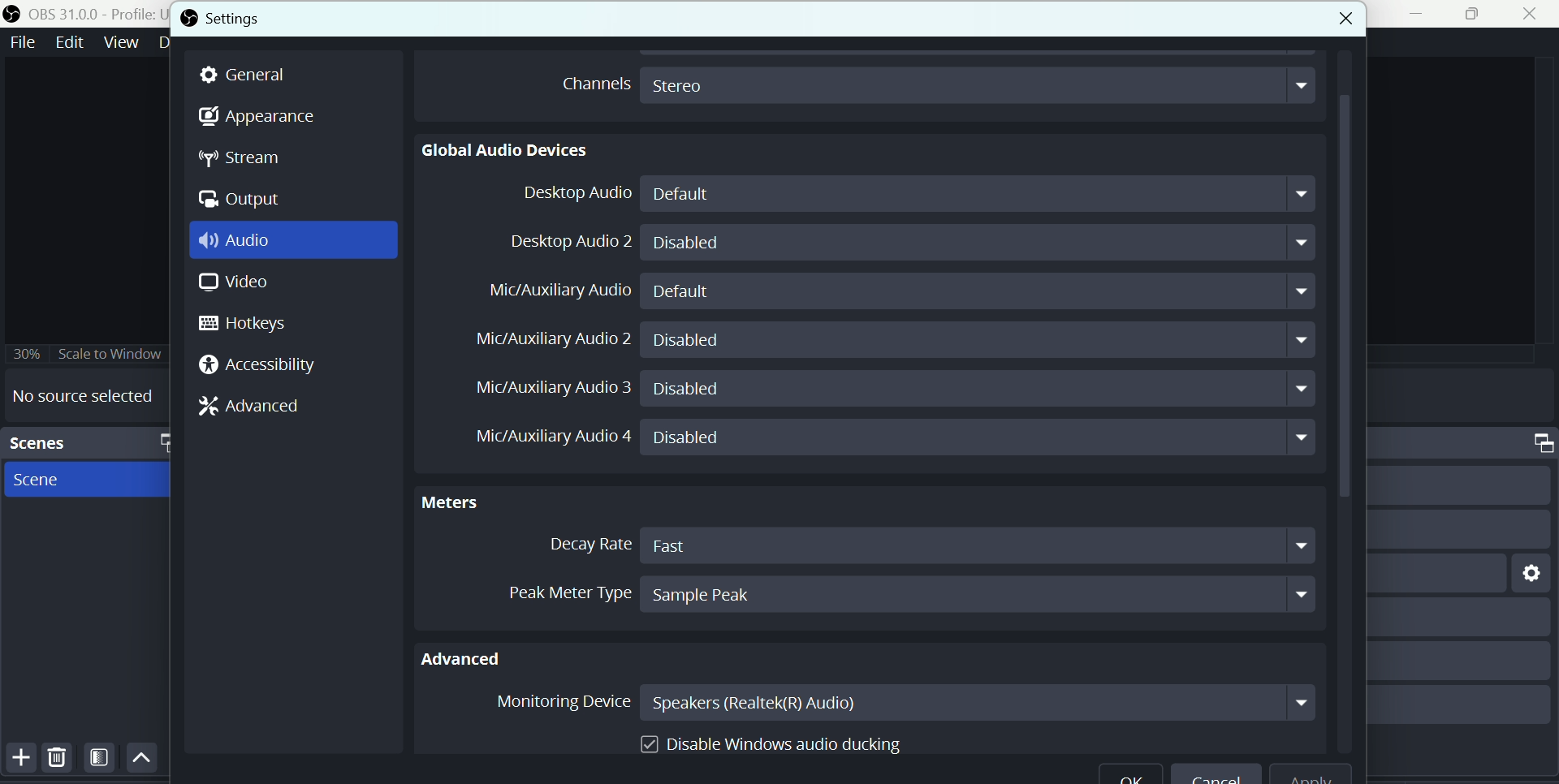 The image size is (1559, 784). I want to click on Desktop Audio, so click(570, 195).